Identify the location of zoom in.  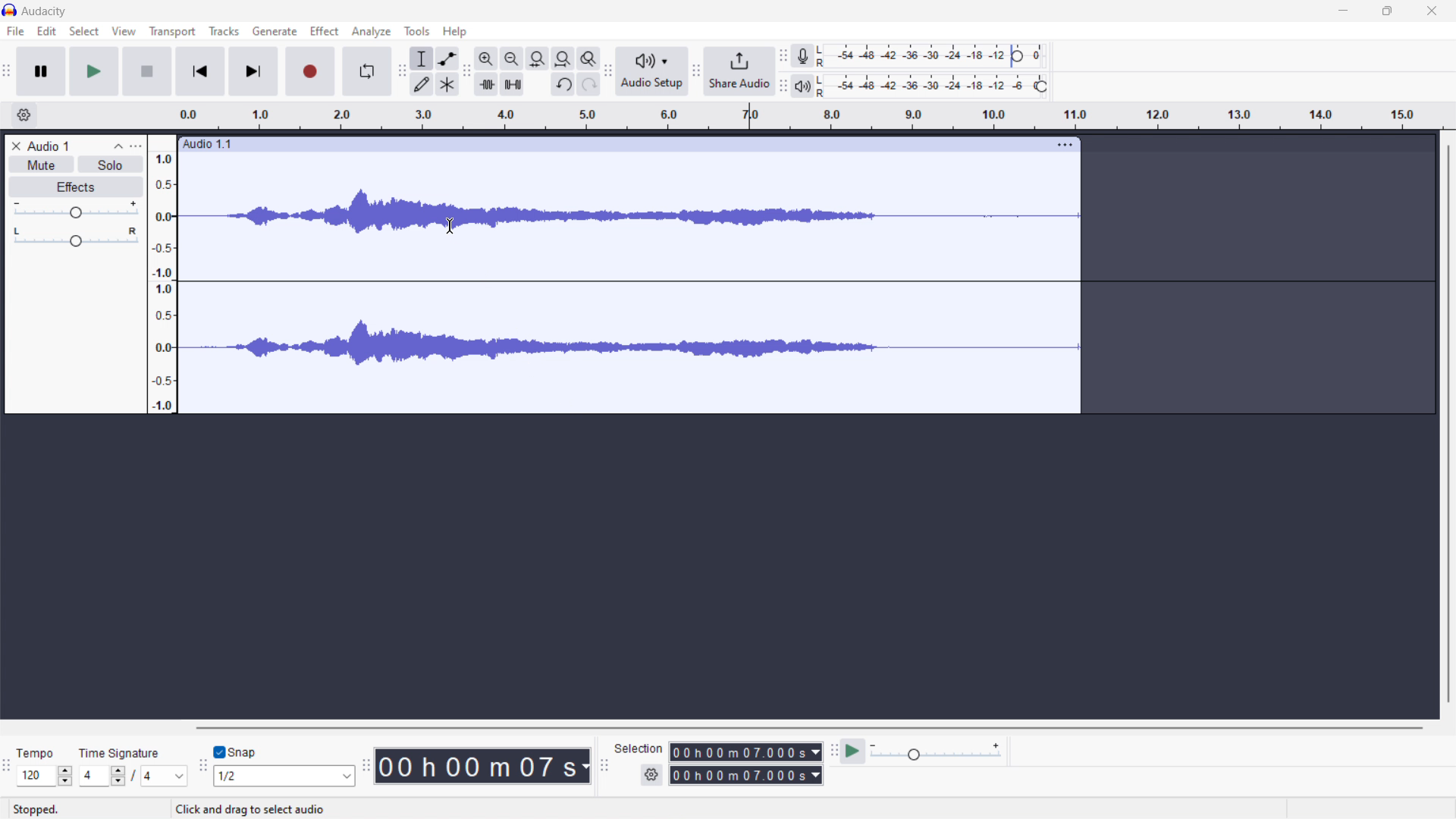
(485, 58).